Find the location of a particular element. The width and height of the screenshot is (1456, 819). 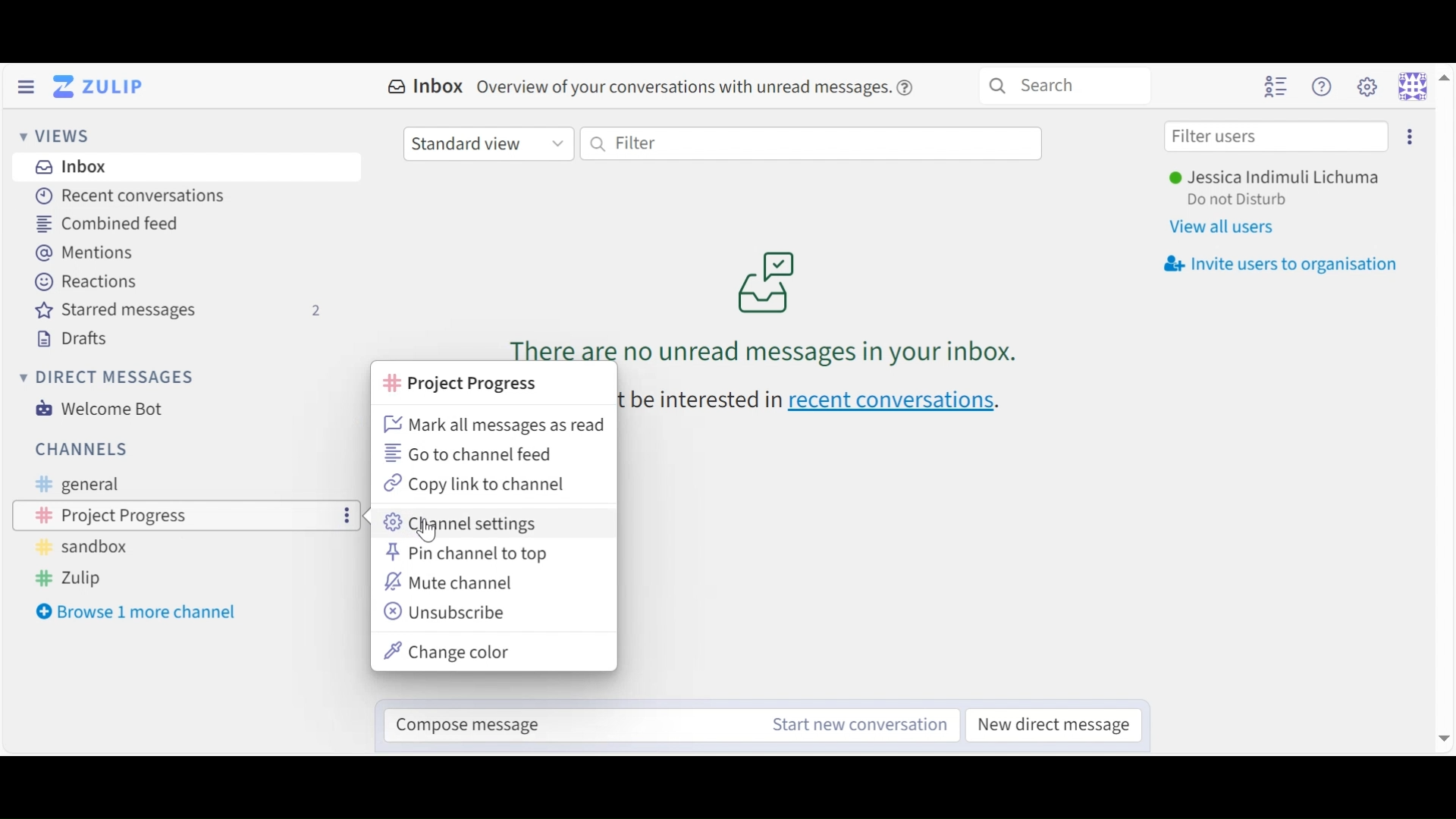

Mark all messages read is located at coordinates (494, 424).